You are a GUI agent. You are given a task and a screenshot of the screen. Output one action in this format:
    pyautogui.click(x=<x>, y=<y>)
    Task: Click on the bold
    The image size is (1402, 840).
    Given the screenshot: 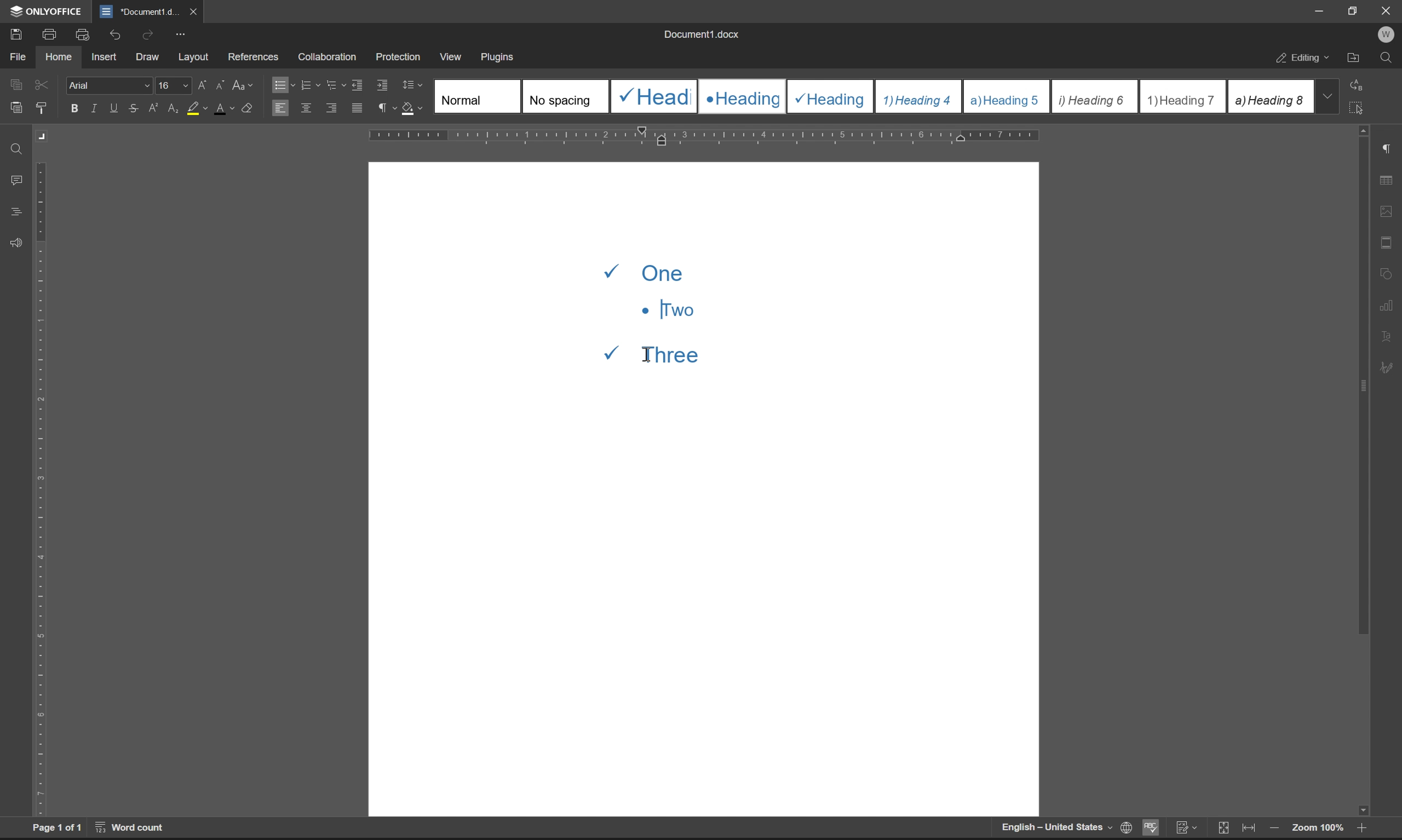 What is the action you would take?
    pyautogui.click(x=75, y=109)
    